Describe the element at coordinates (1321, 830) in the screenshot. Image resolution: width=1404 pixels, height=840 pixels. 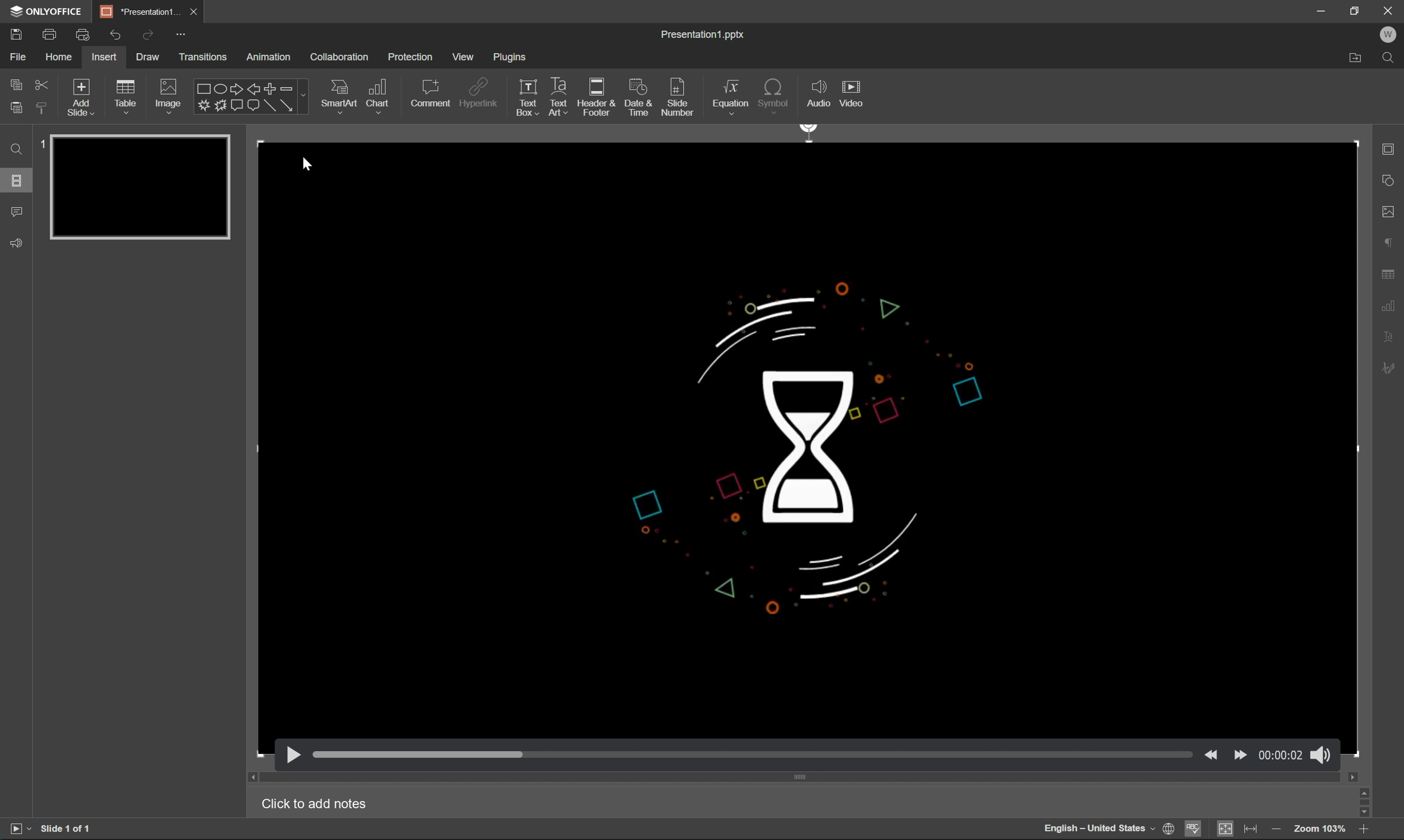
I see `Zoom 103%zoom 103%` at that location.